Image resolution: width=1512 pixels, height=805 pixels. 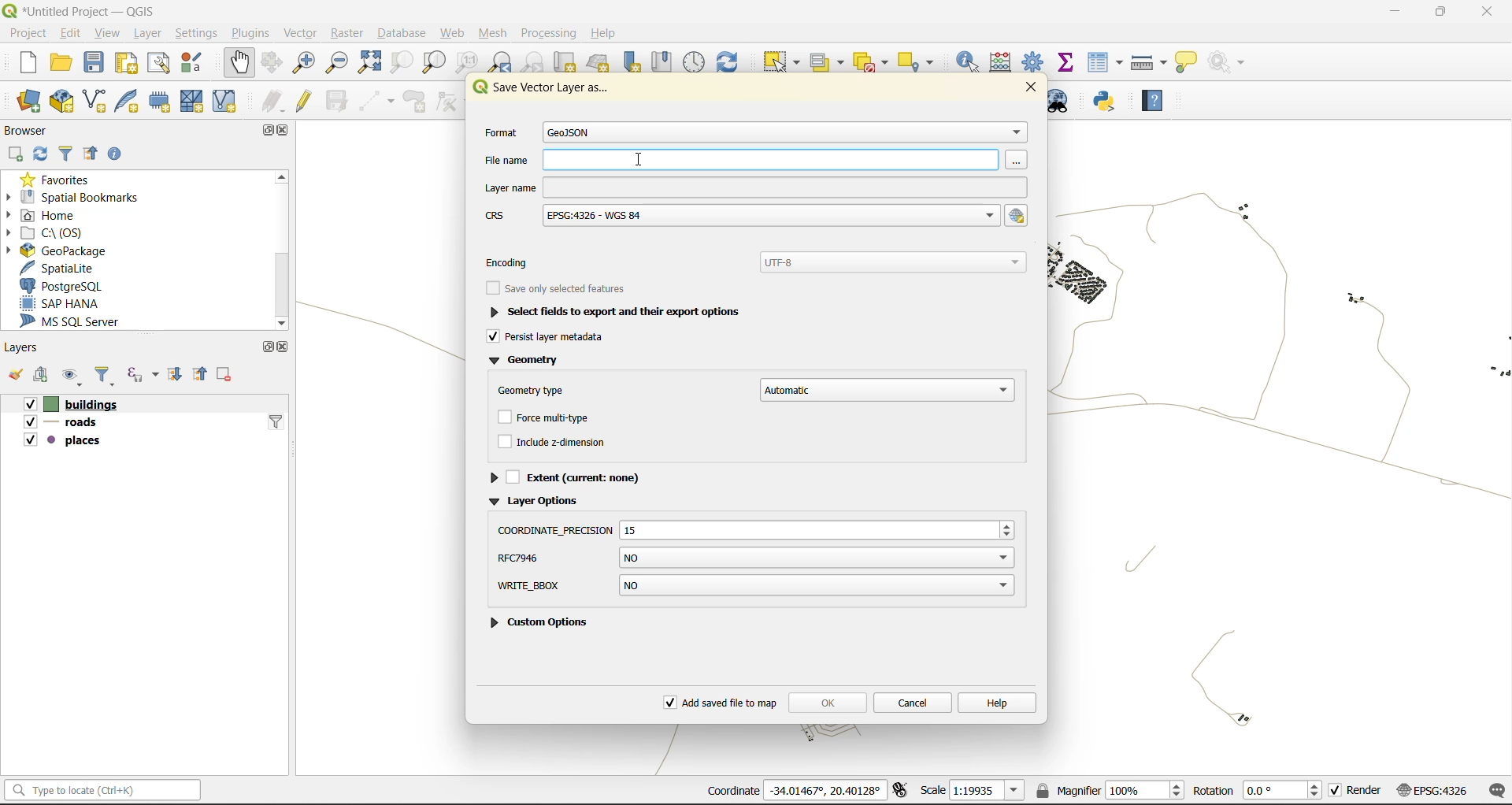 I want to click on ms sql server, so click(x=76, y=321).